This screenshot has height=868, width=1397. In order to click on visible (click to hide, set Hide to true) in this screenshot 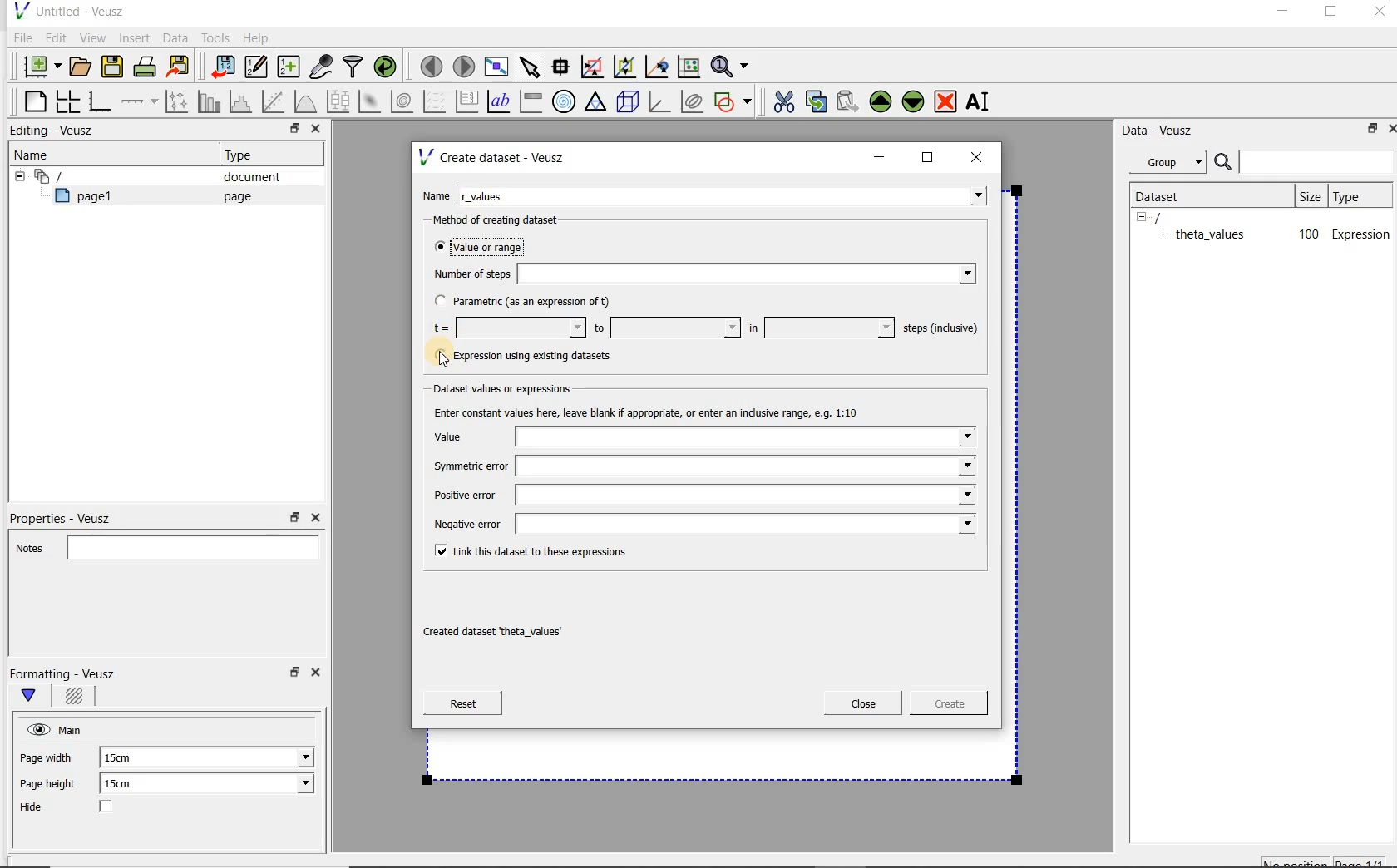, I will do `click(36, 729)`.